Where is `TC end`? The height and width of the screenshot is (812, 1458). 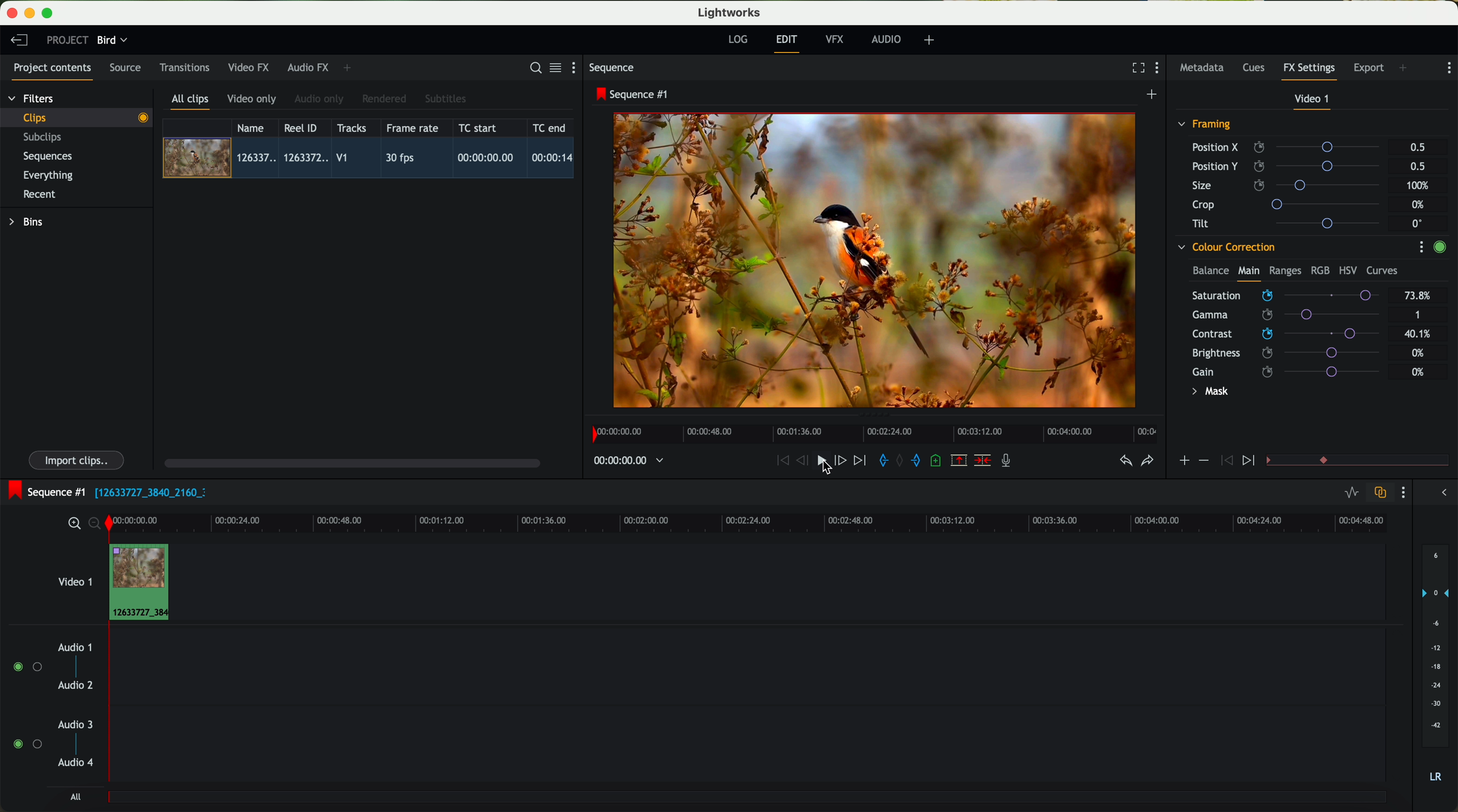
TC end is located at coordinates (550, 127).